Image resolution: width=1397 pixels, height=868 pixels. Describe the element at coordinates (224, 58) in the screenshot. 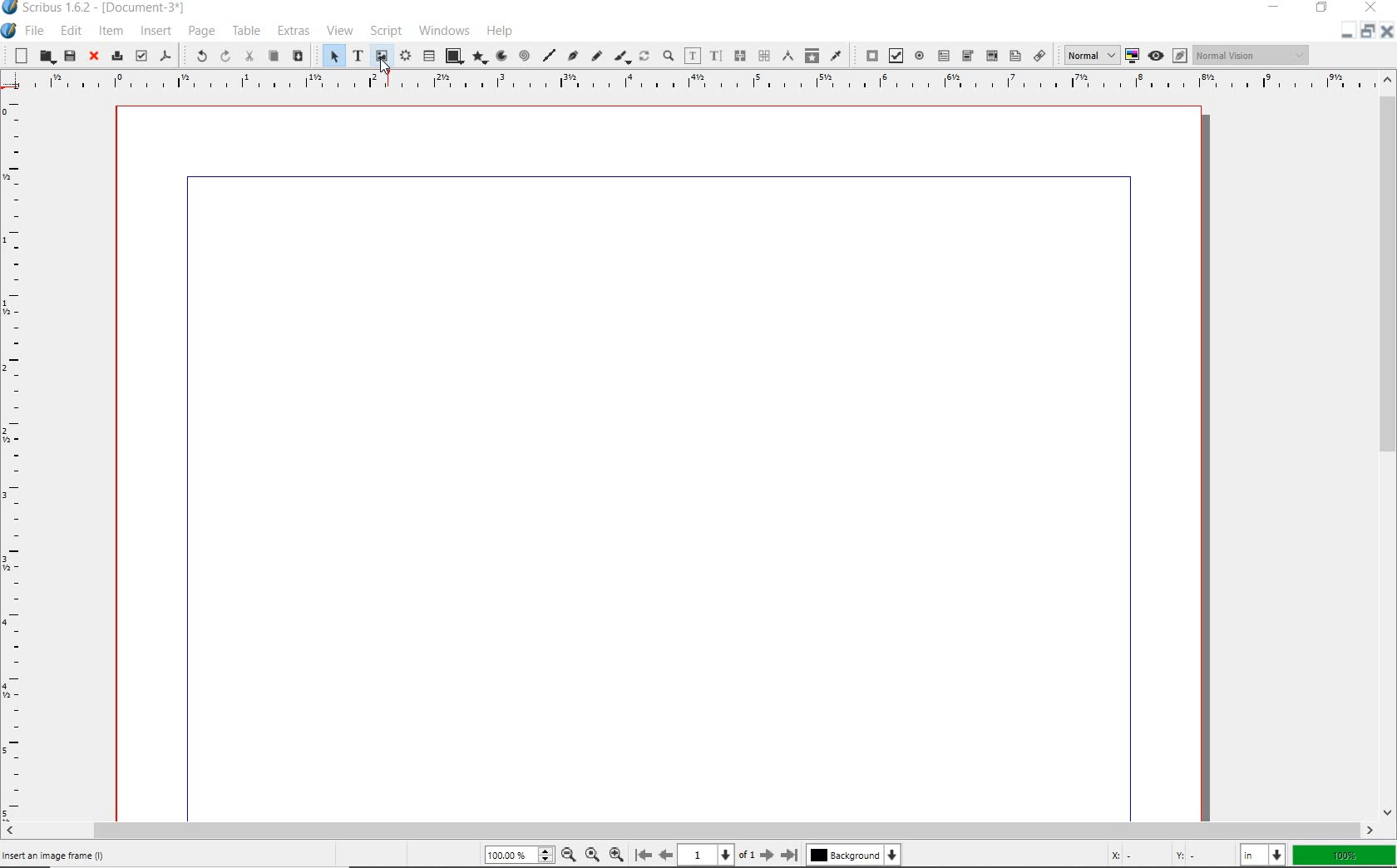

I see `REDO` at that location.